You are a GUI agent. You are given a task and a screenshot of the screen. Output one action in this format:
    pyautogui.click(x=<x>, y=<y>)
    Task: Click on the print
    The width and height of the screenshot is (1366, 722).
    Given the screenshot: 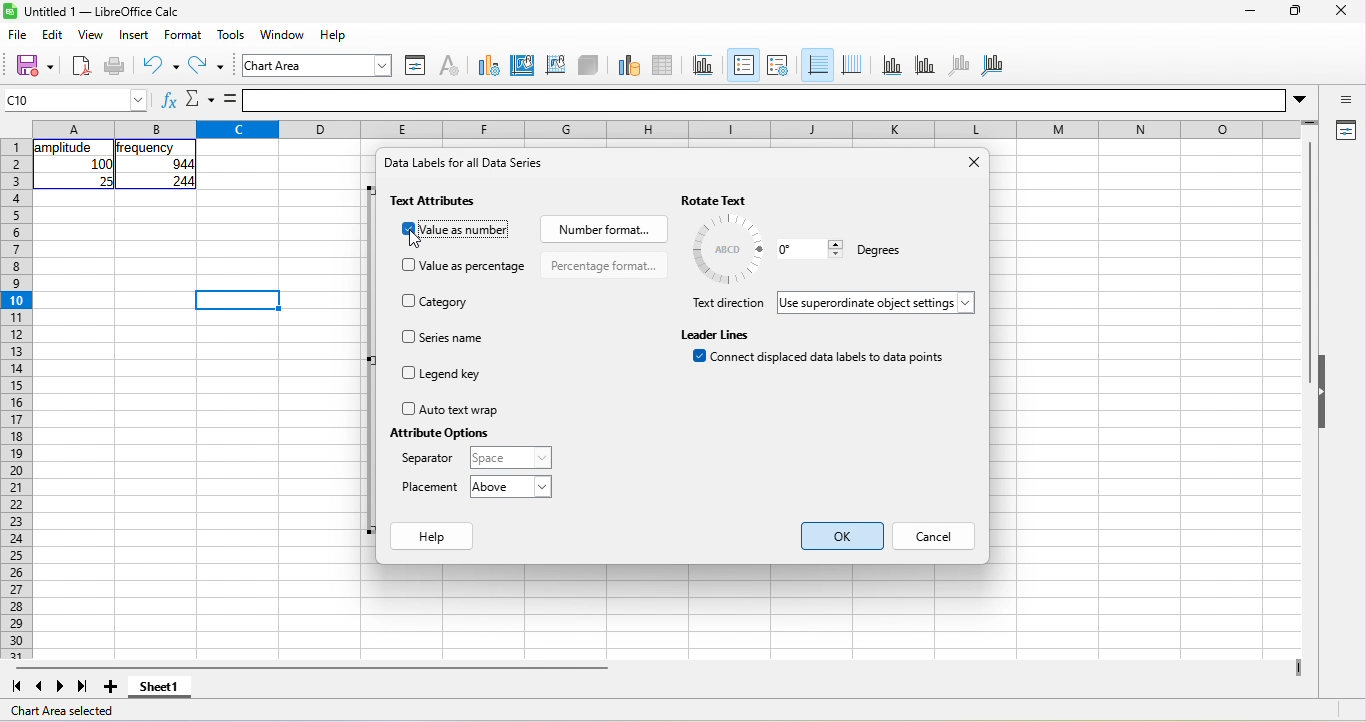 What is the action you would take?
    pyautogui.click(x=115, y=67)
    